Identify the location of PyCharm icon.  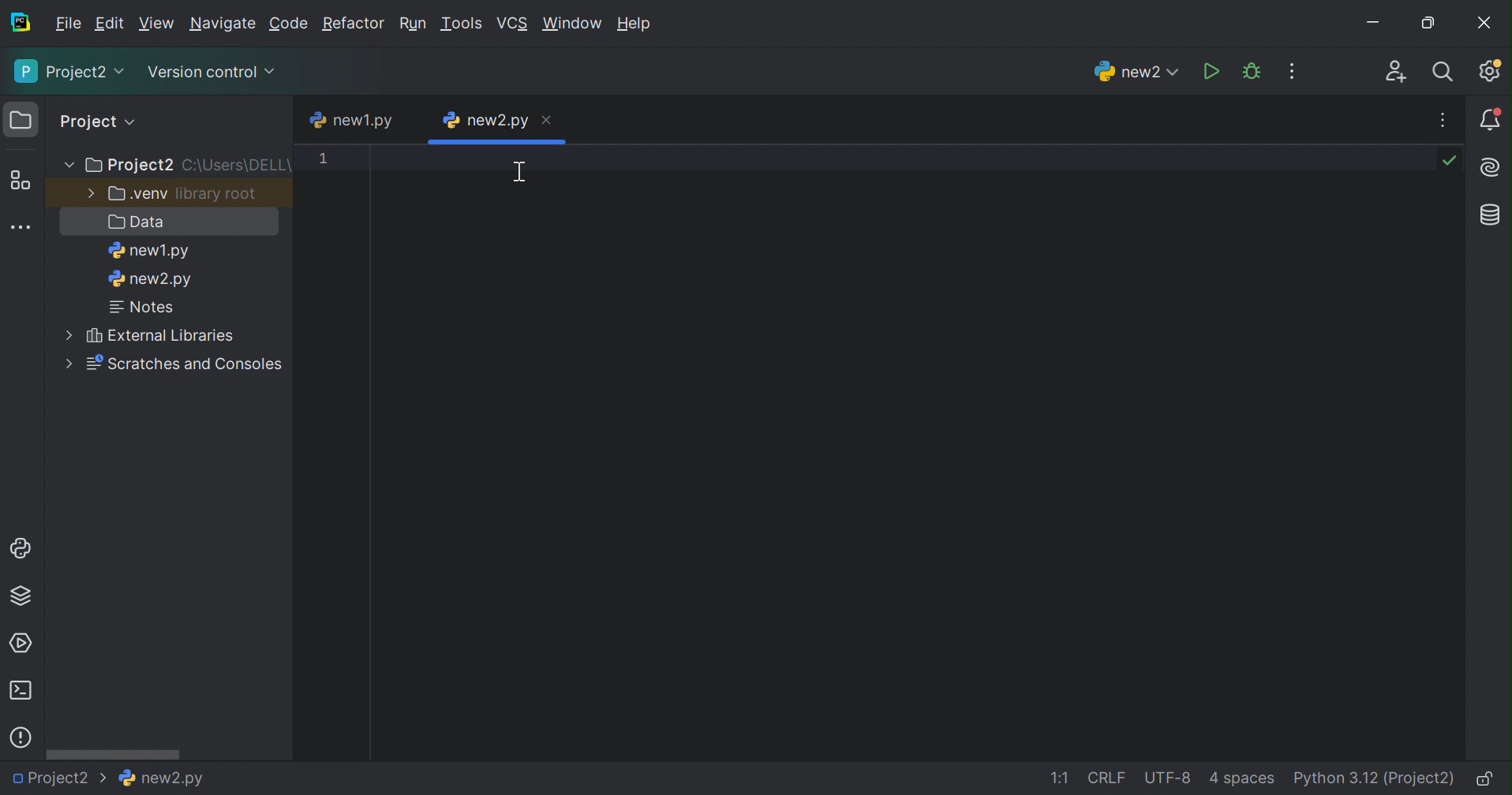
(20, 22).